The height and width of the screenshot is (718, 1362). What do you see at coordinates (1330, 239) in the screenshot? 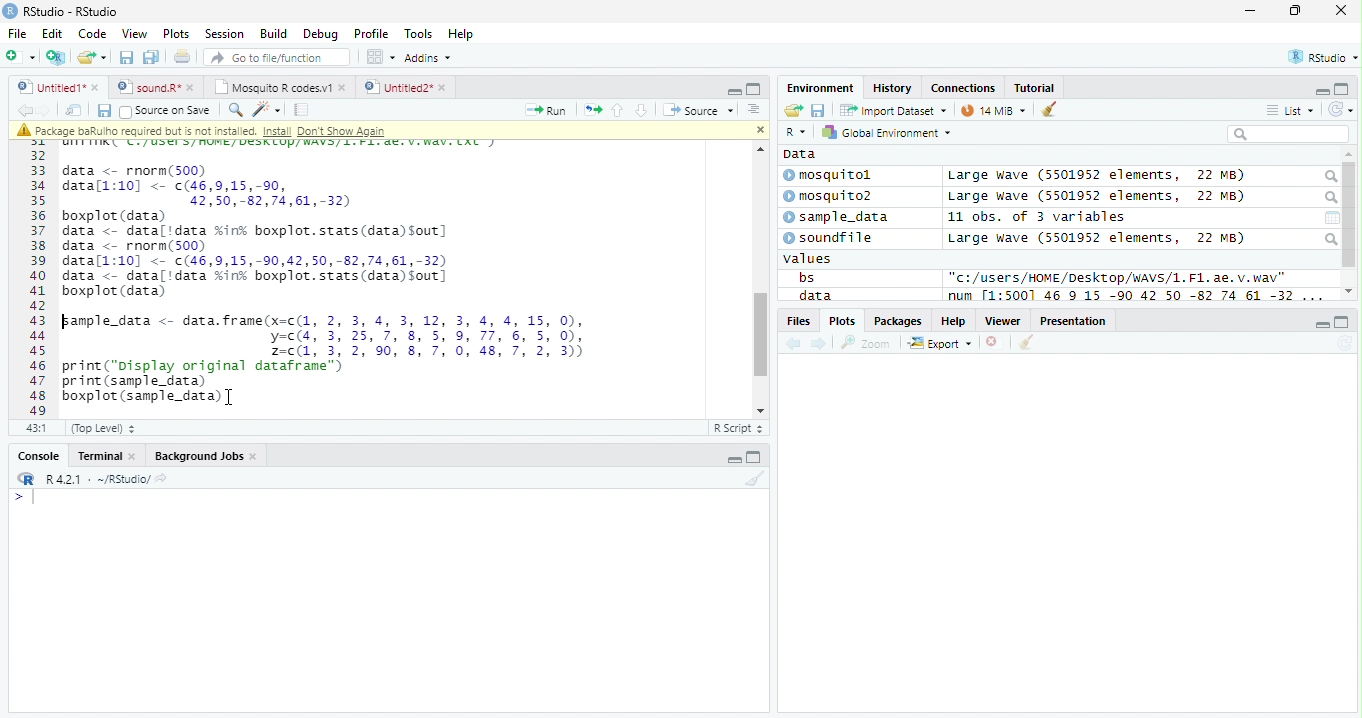
I see `search` at bounding box center [1330, 239].